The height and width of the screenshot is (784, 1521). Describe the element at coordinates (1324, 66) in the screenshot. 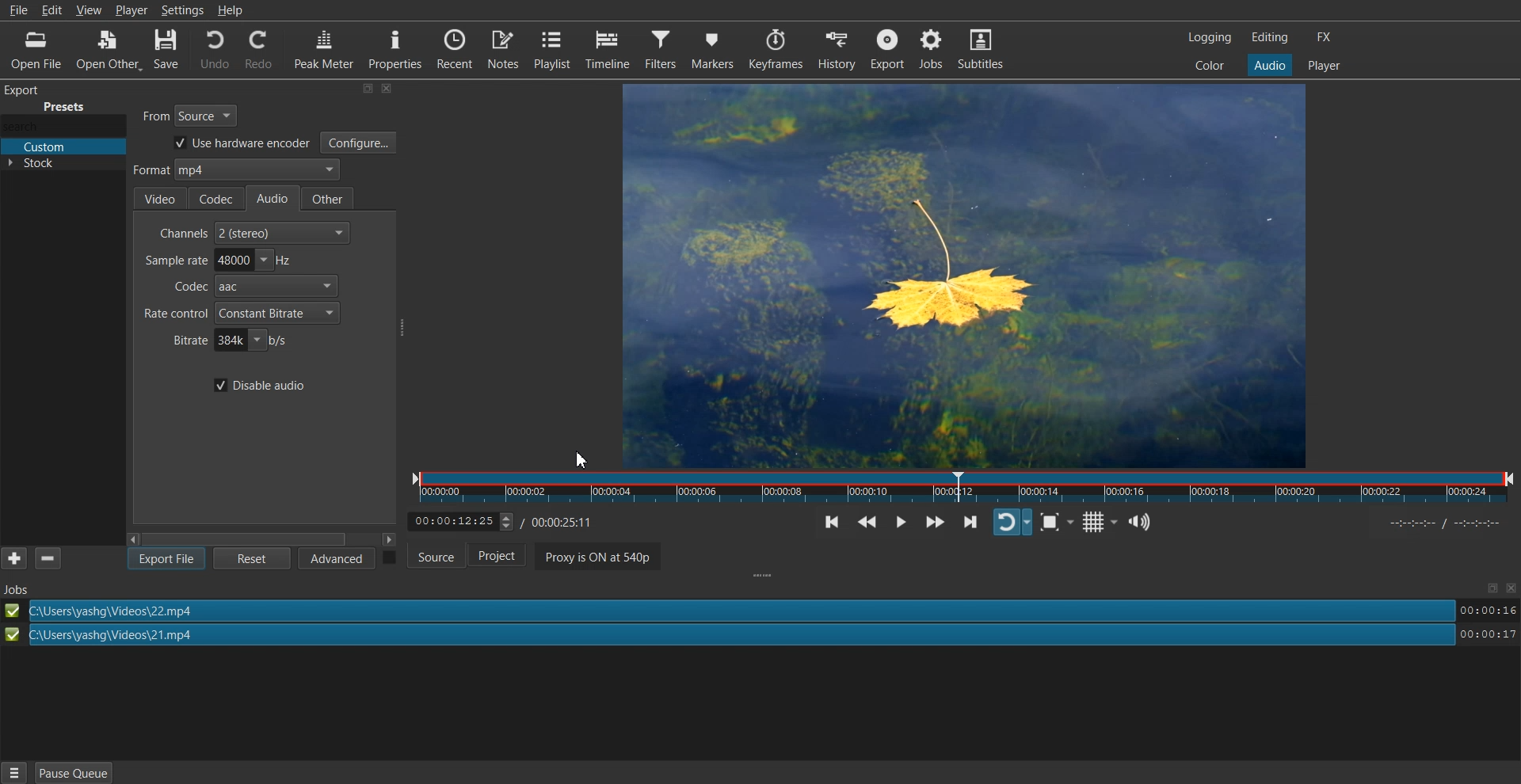

I see `Player` at that location.